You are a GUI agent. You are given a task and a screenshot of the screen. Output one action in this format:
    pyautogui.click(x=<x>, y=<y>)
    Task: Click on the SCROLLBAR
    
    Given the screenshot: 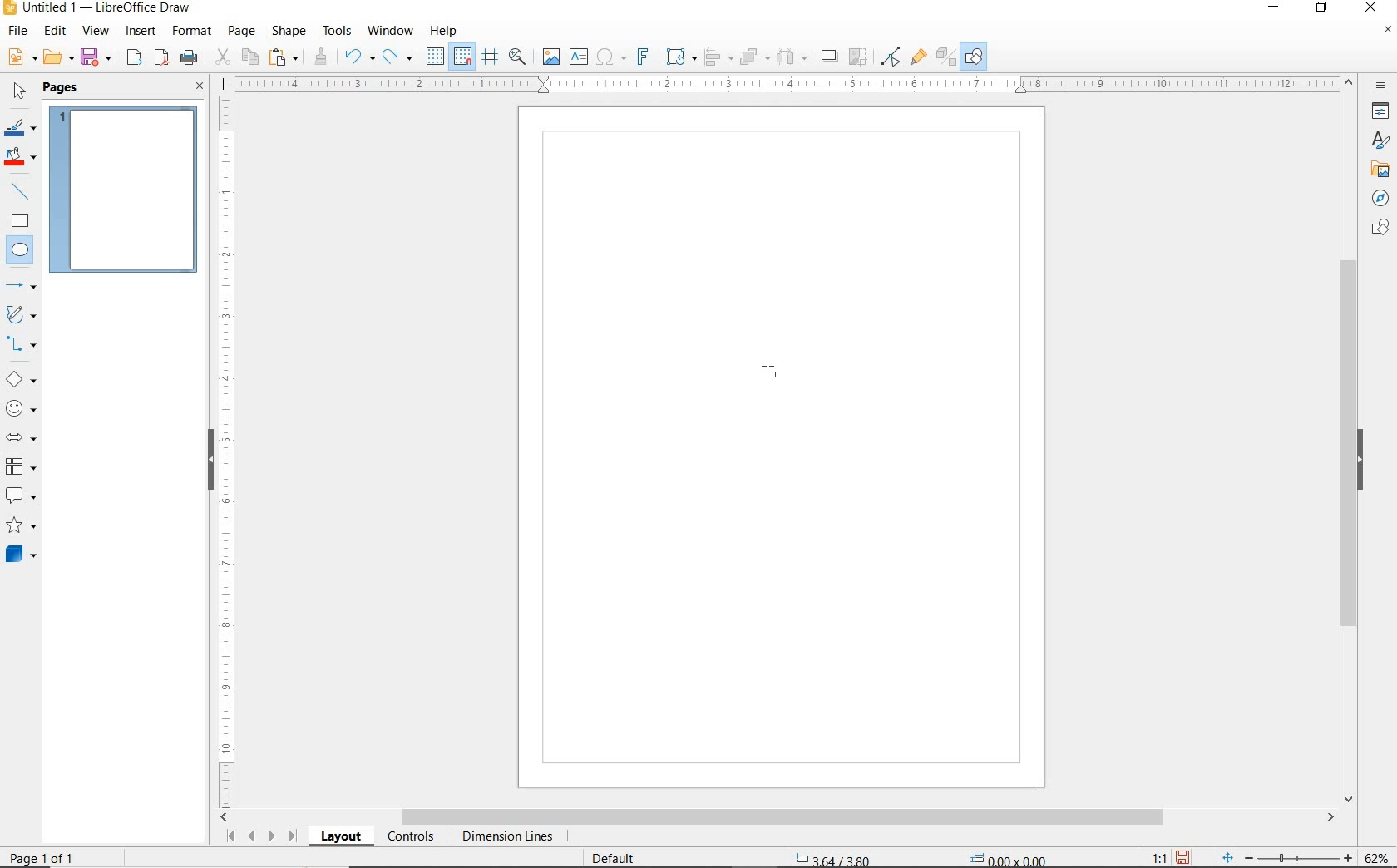 What is the action you would take?
    pyautogui.click(x=778, y=818)
    